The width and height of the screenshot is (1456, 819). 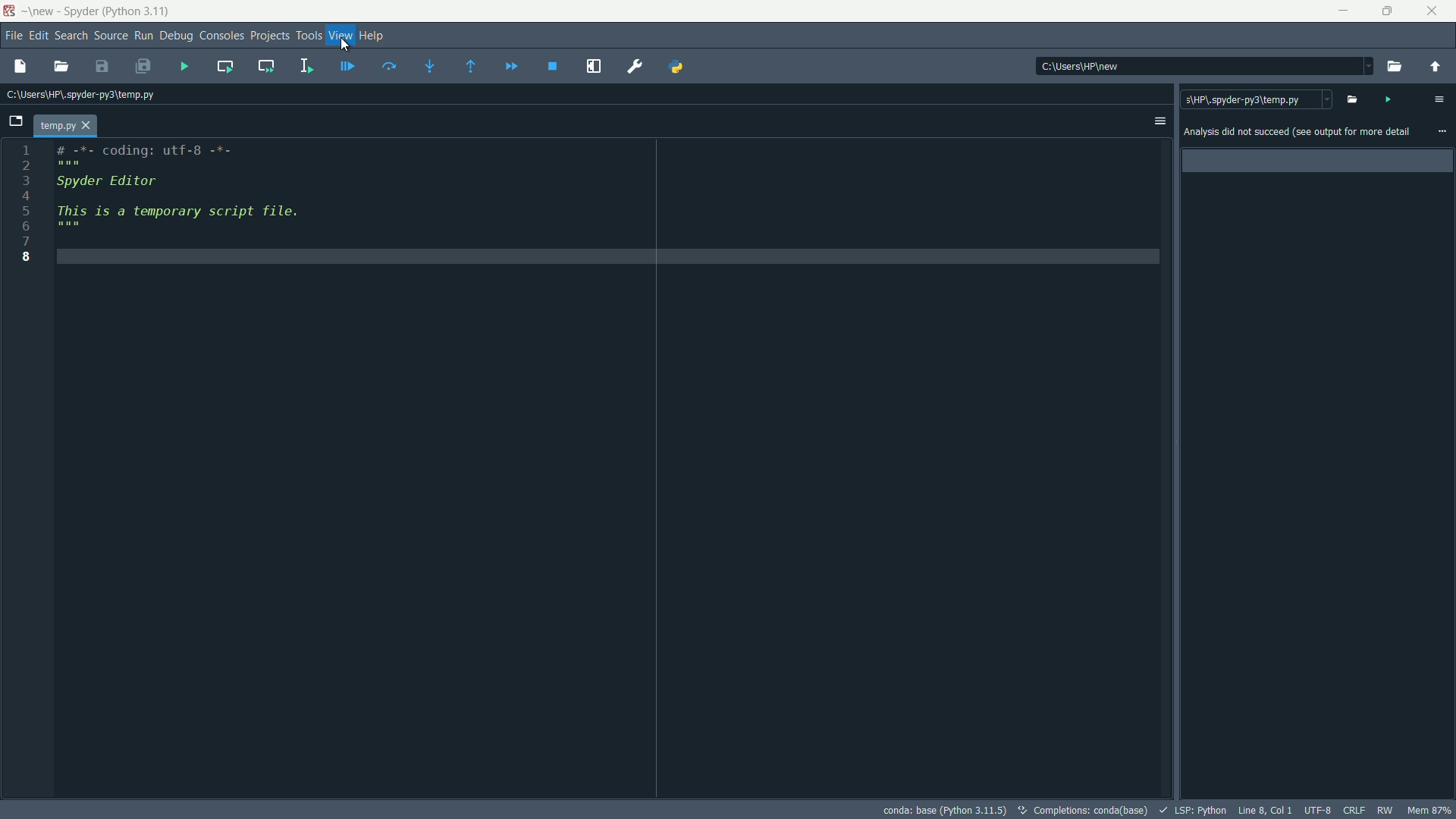 I want to click on source menu, so click(x=108, y=36).